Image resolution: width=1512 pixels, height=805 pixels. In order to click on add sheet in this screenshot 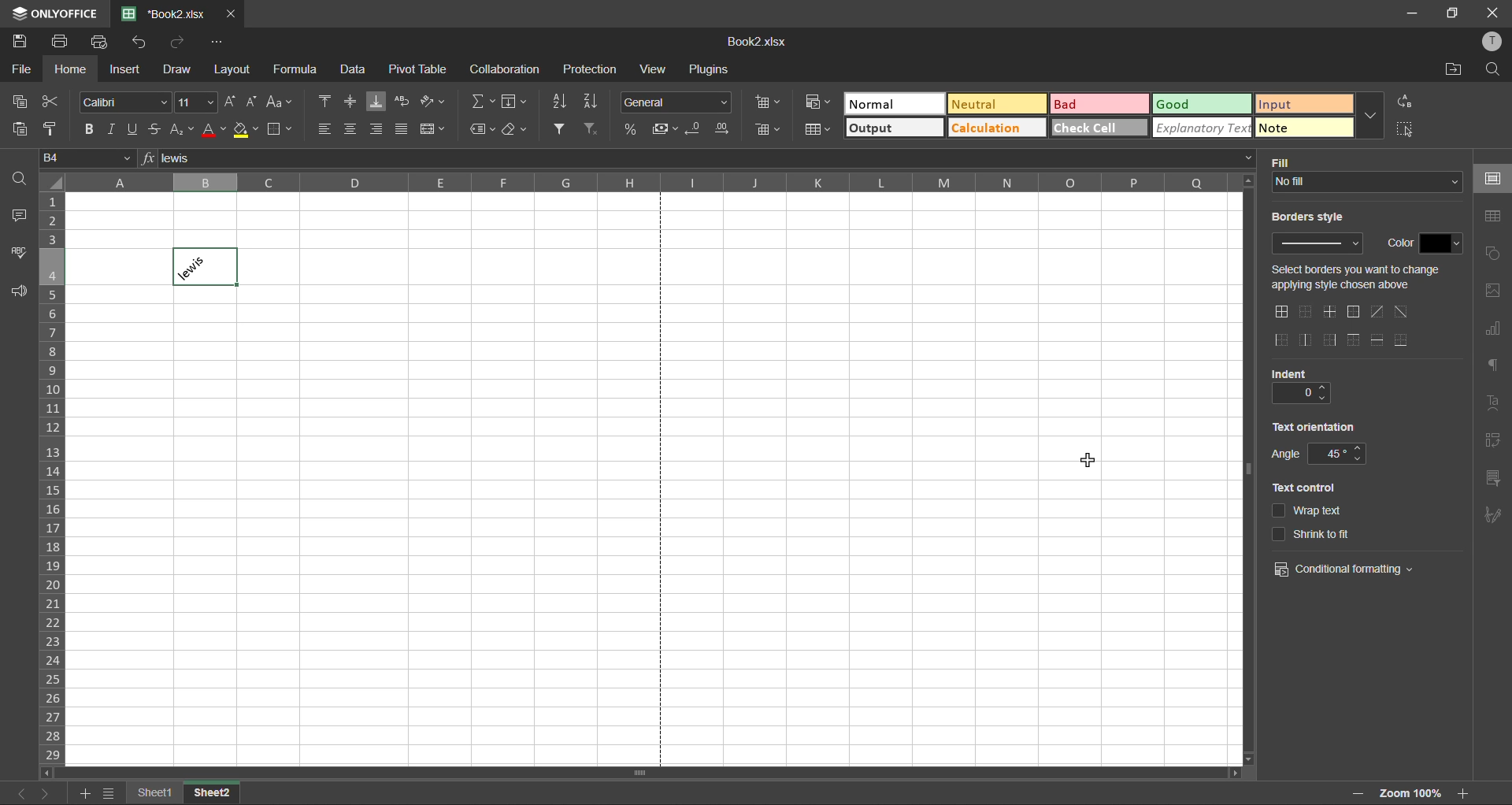, I will do `click(84, 792)`.